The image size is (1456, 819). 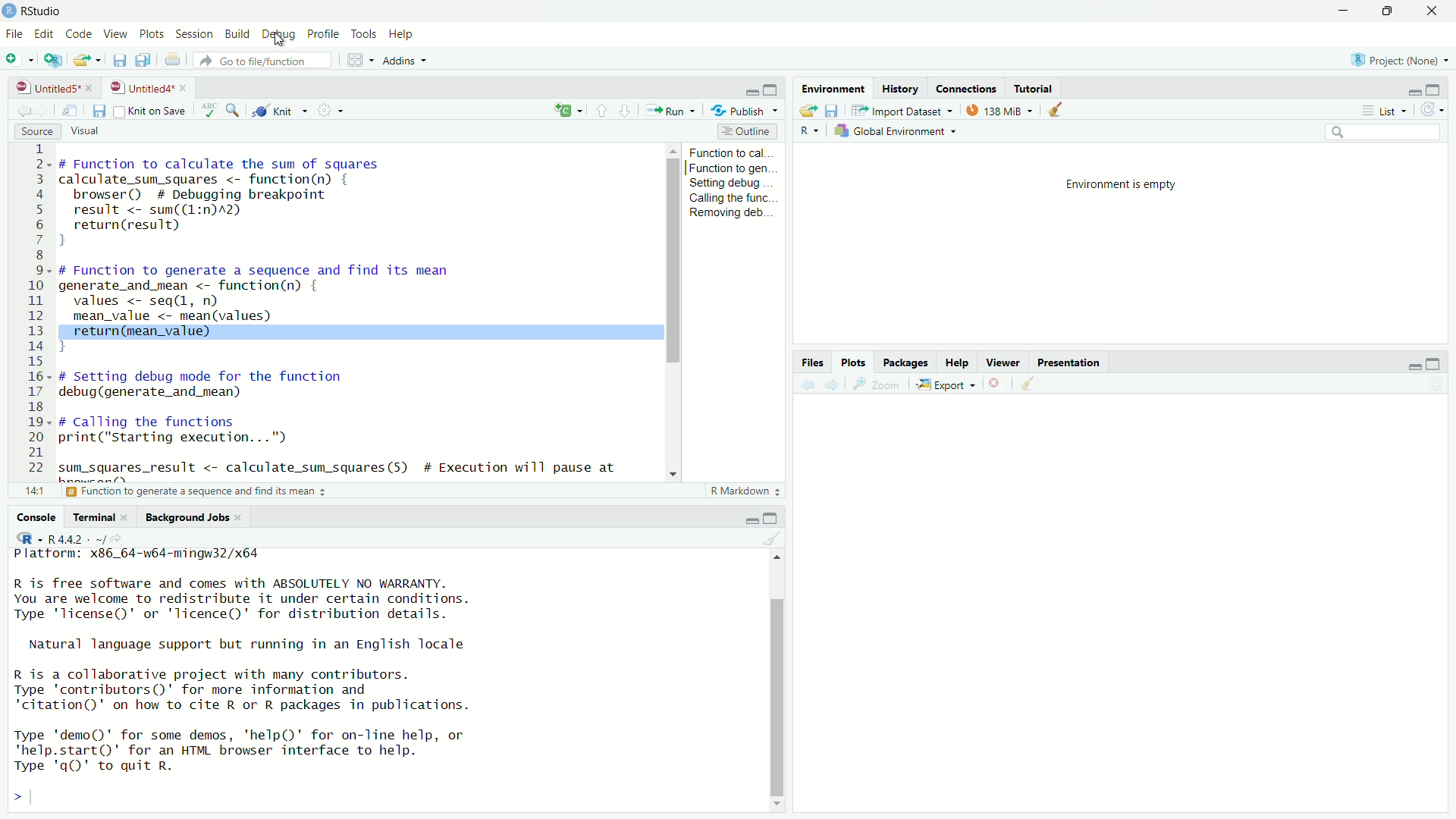 What do you see at coordinates (45, 11) in the screenshot?
I see `RStudio` at bounding box center [45, 11].